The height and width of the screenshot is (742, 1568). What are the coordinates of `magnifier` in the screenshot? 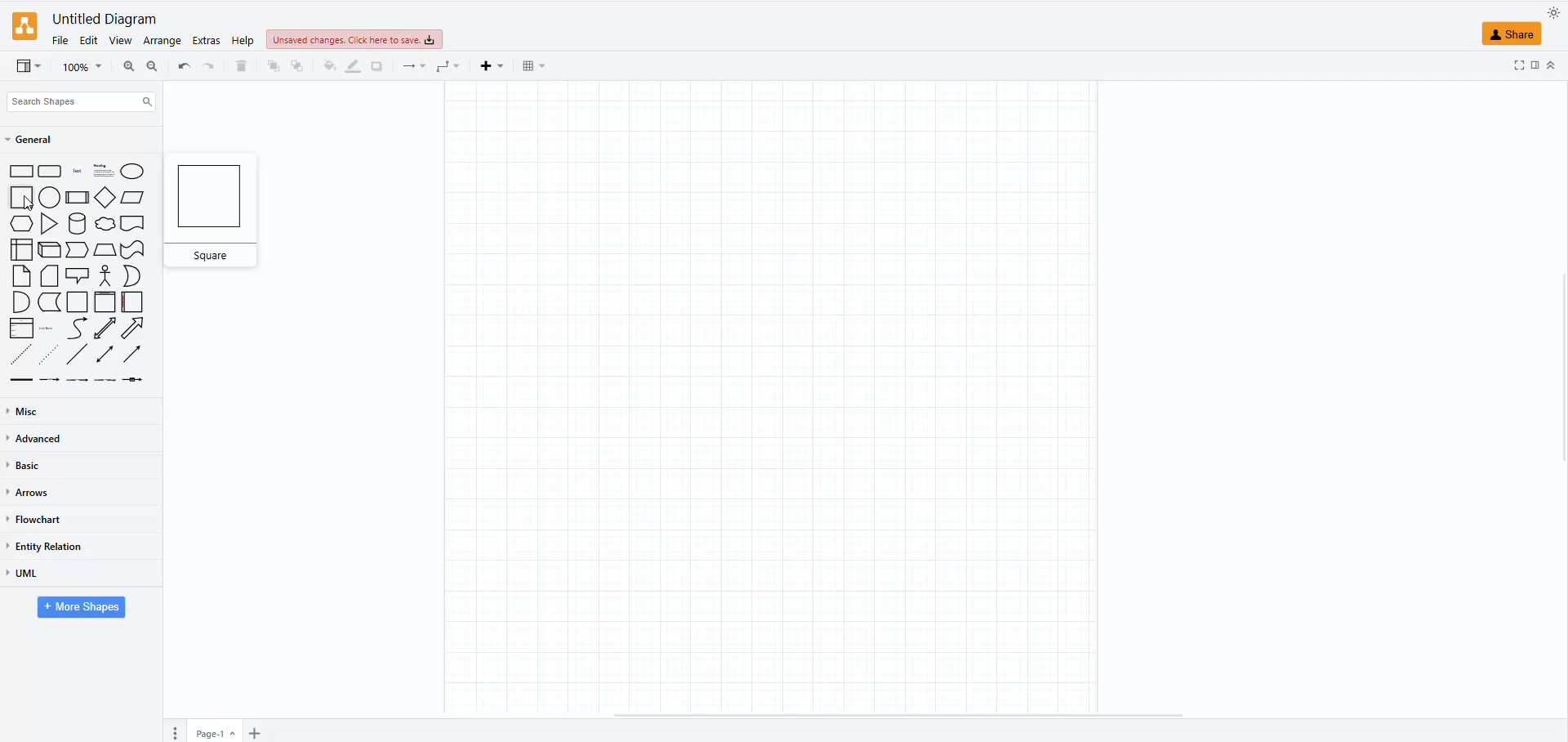 It's located at (80, 70).